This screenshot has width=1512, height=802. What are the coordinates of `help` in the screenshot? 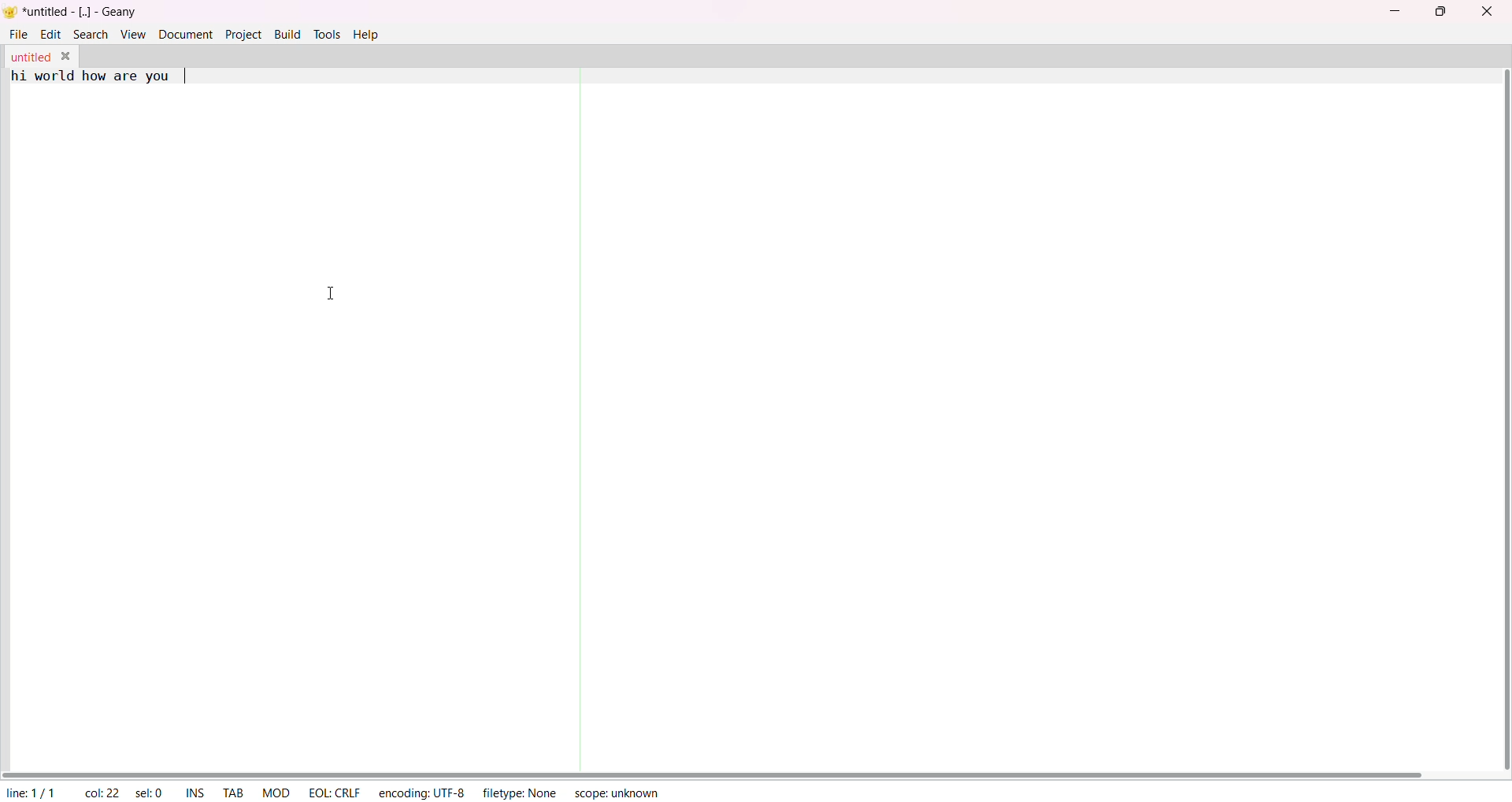 It's located at (366, 35).